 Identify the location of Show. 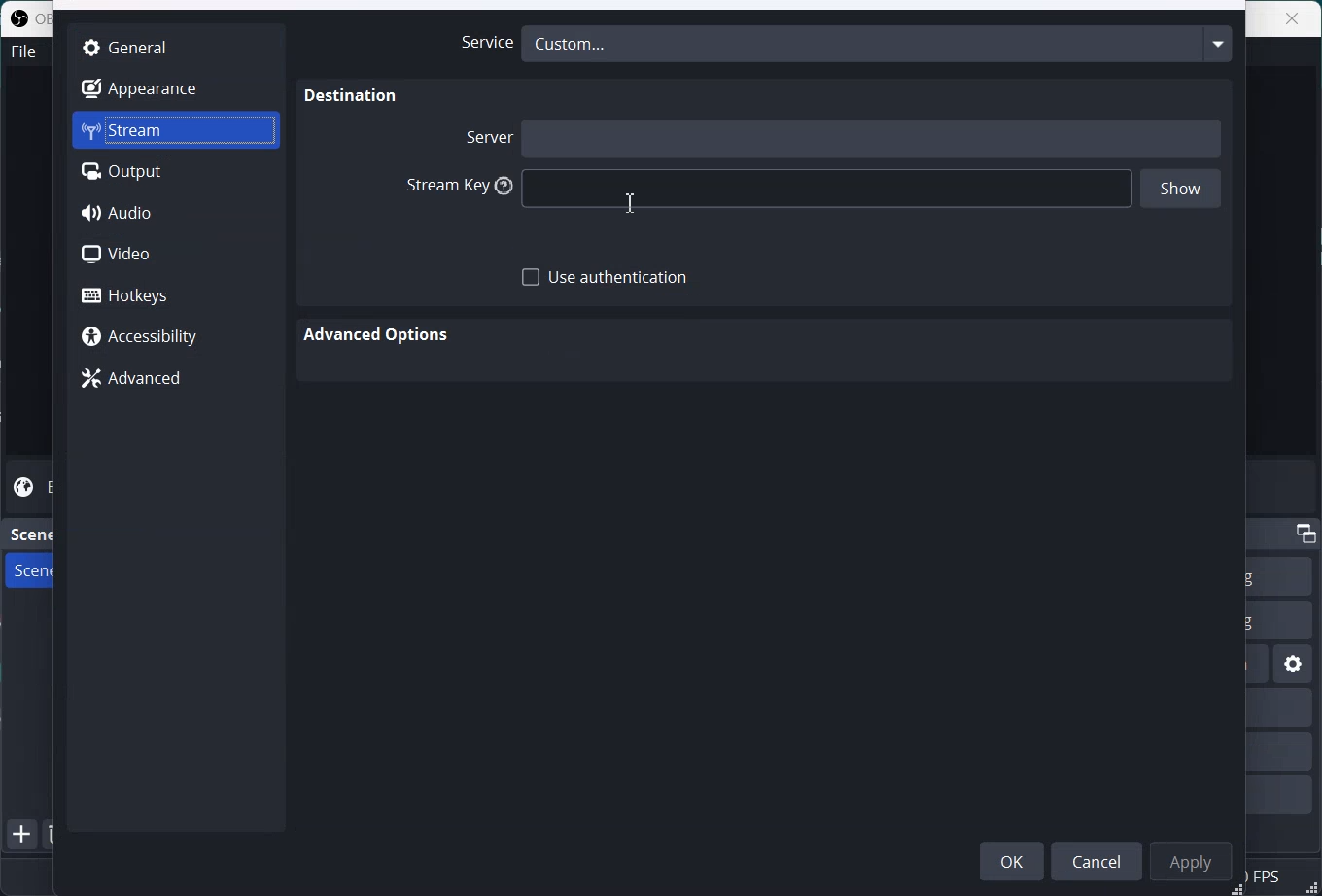
(1181, 190).